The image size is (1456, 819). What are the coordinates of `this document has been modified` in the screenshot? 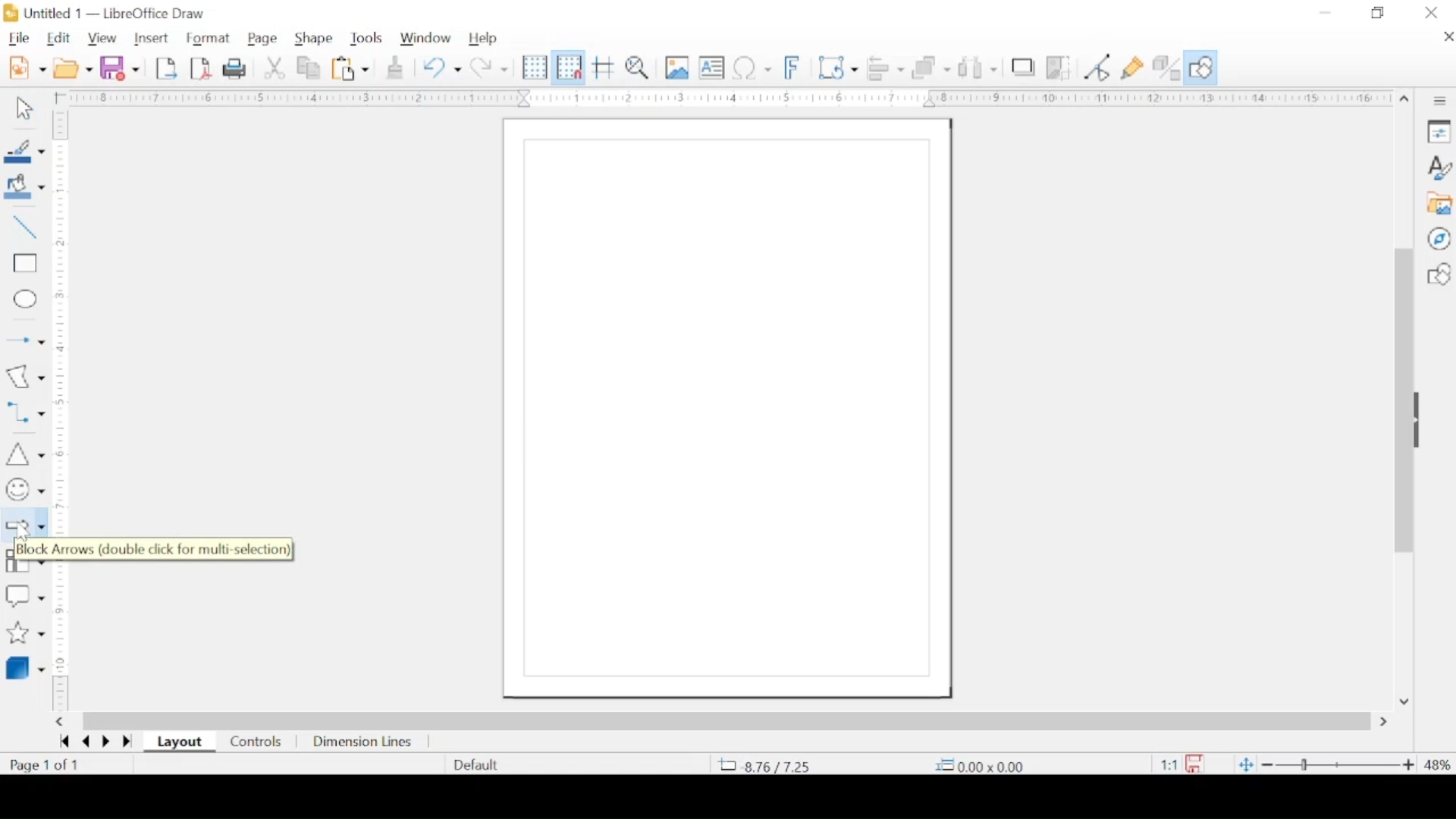 It's located at (1176, 764).